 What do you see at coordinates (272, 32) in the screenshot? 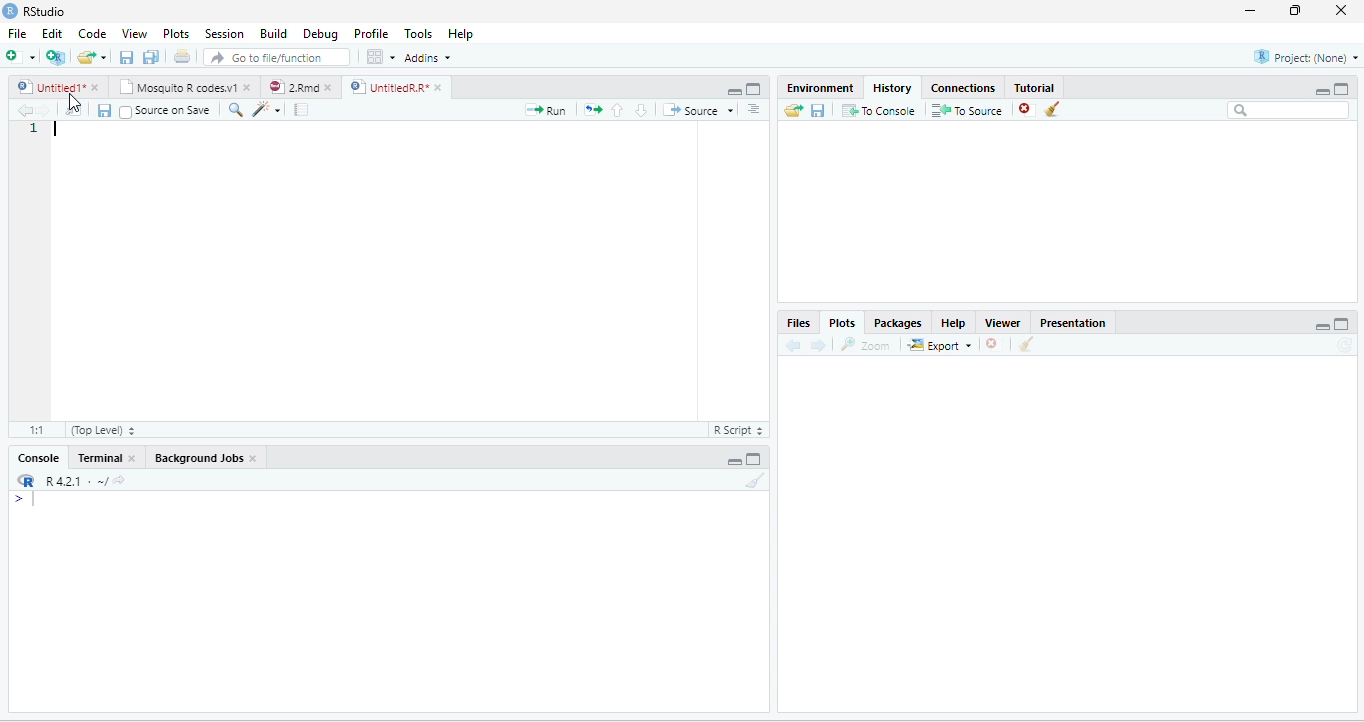
I see `Build` at bounding box center [272, 32].